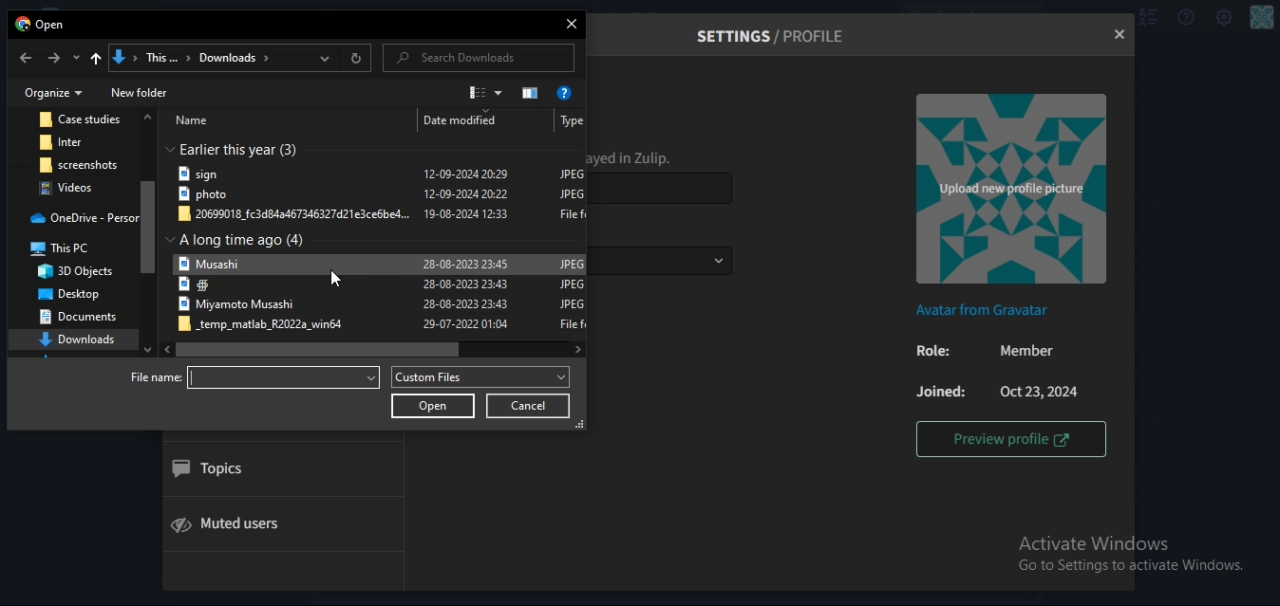 The image size is (1280, 606). I want to click on organize, so click(55, 92).